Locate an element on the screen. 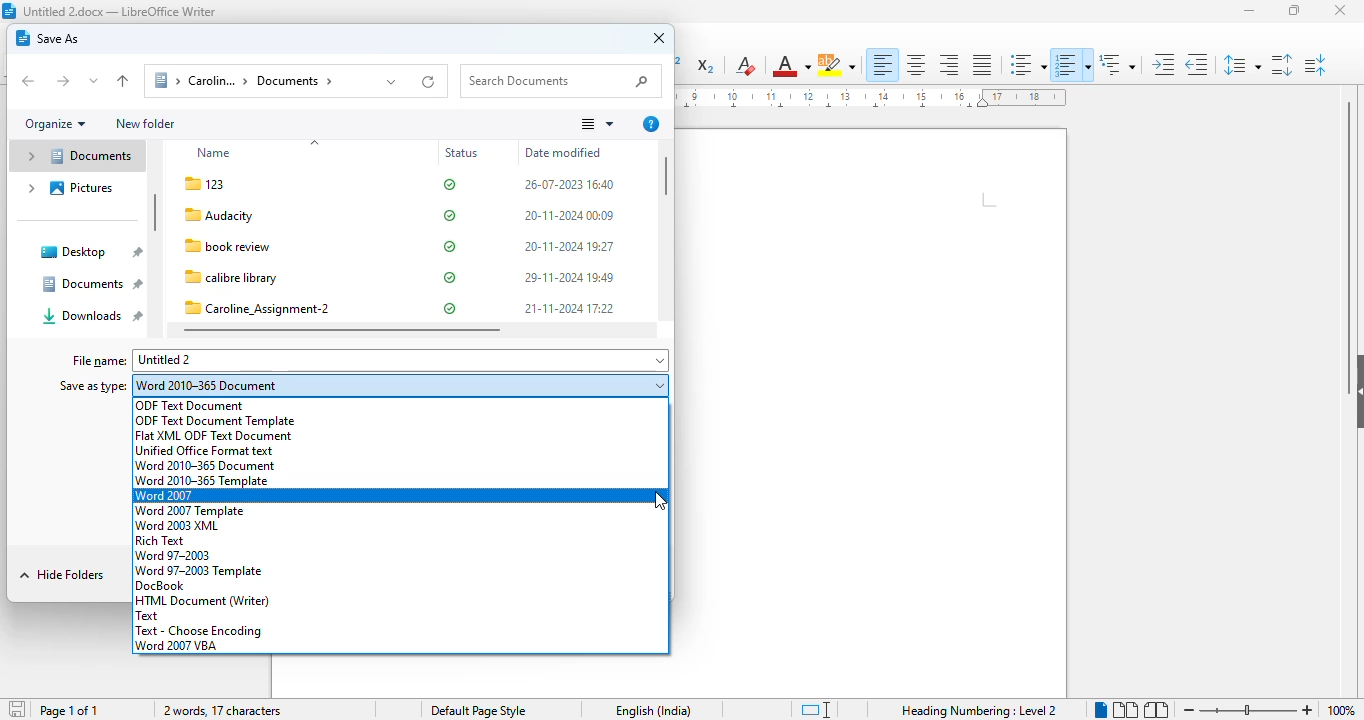 The width and height of the screenshot is (1364, 720). increase indent is located at coordinates (1164, 64).